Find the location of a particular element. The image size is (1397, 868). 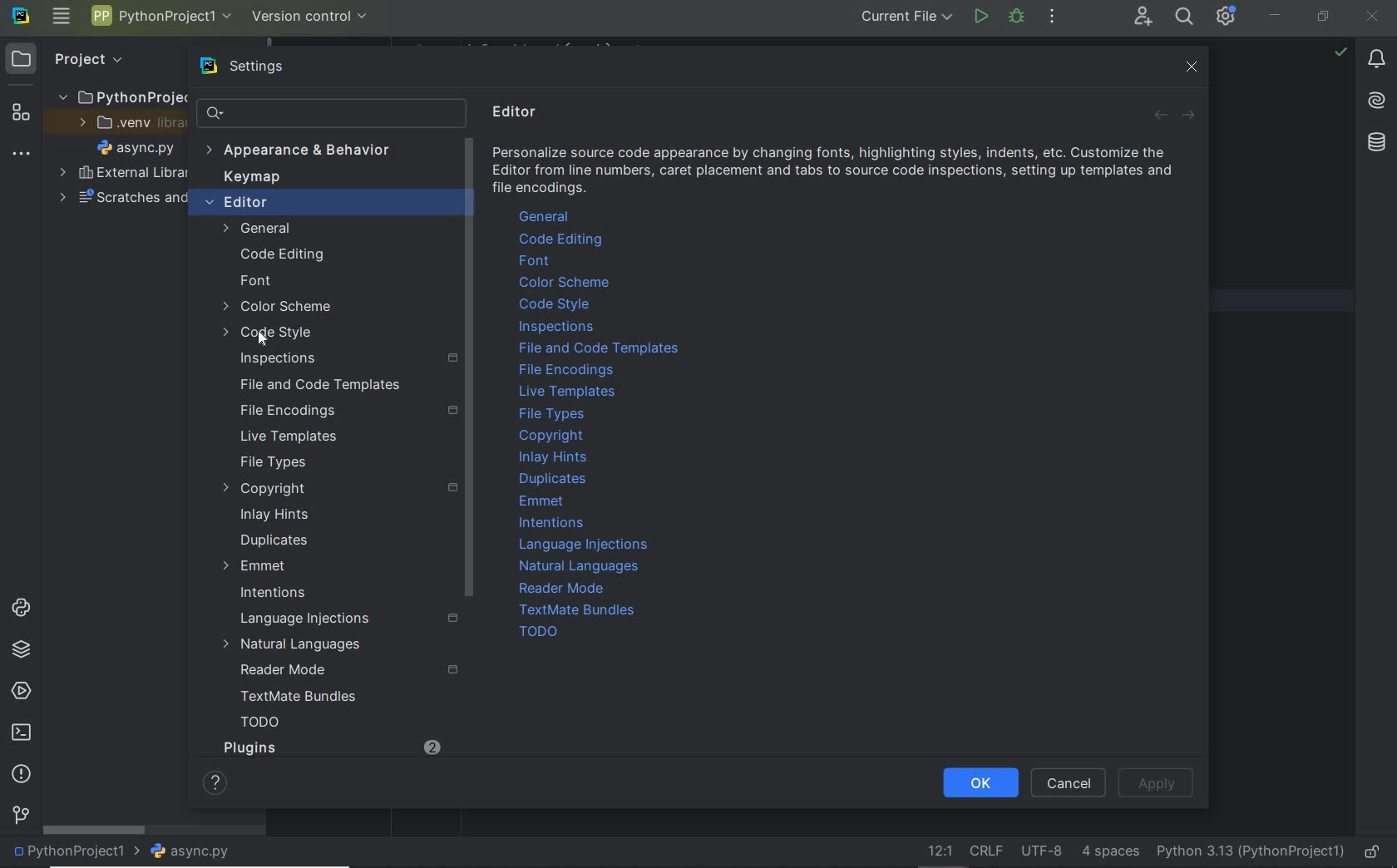

editor is located at coordinates (309, 204).